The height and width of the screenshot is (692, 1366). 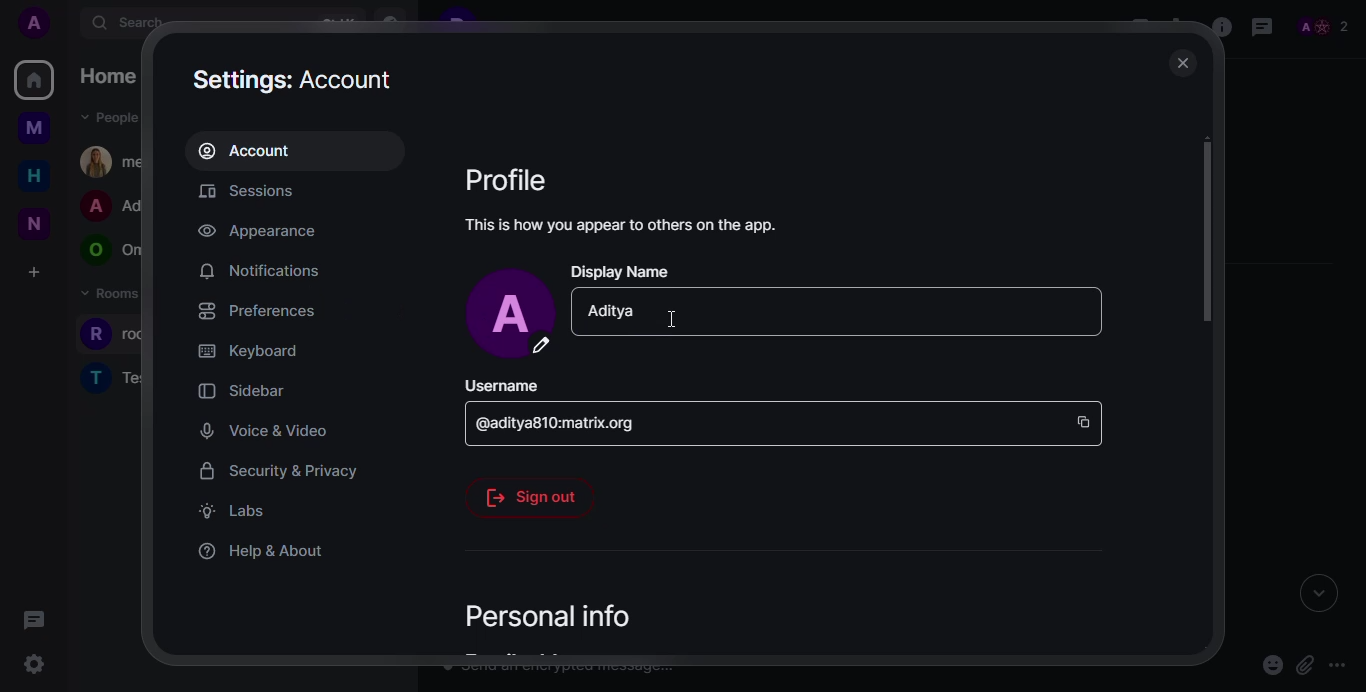 I want to click on username, so click(x=501, y=385).